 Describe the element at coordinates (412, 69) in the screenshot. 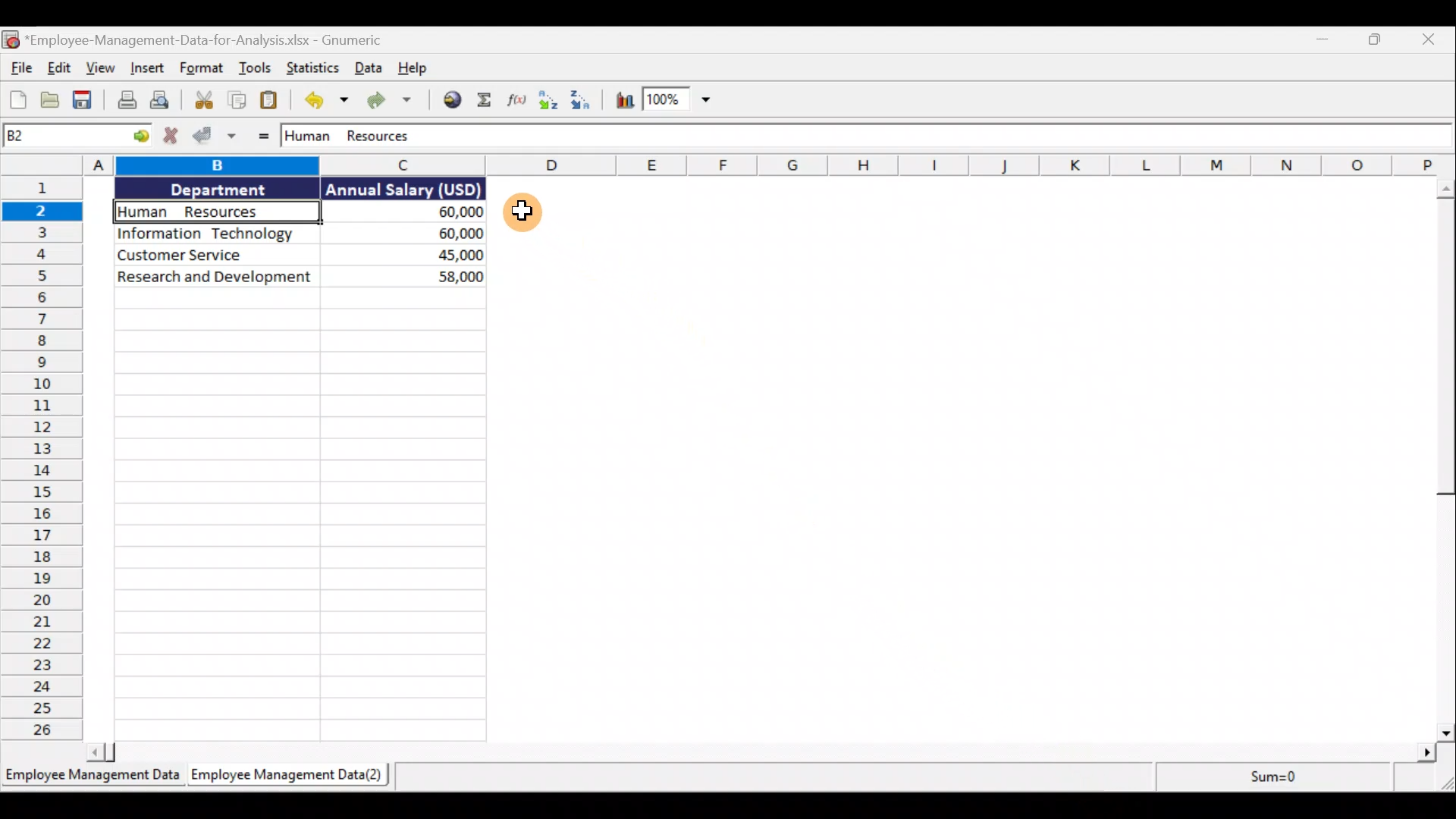

I see `Help` at that location.